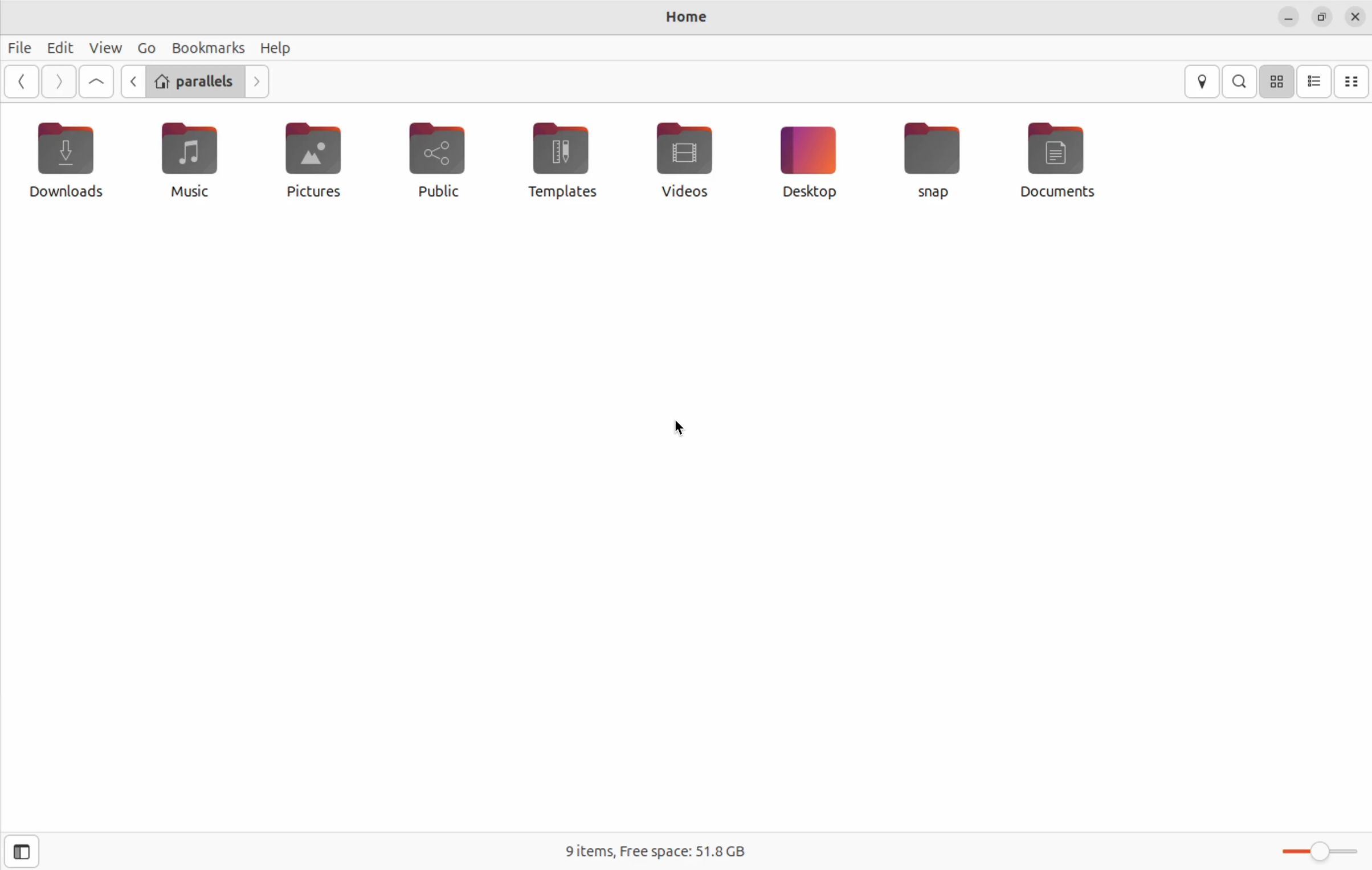 The image size is (1372, 870). Describe the element at coordinates (442, 158) in the screenshot. I see `Public` at that location.